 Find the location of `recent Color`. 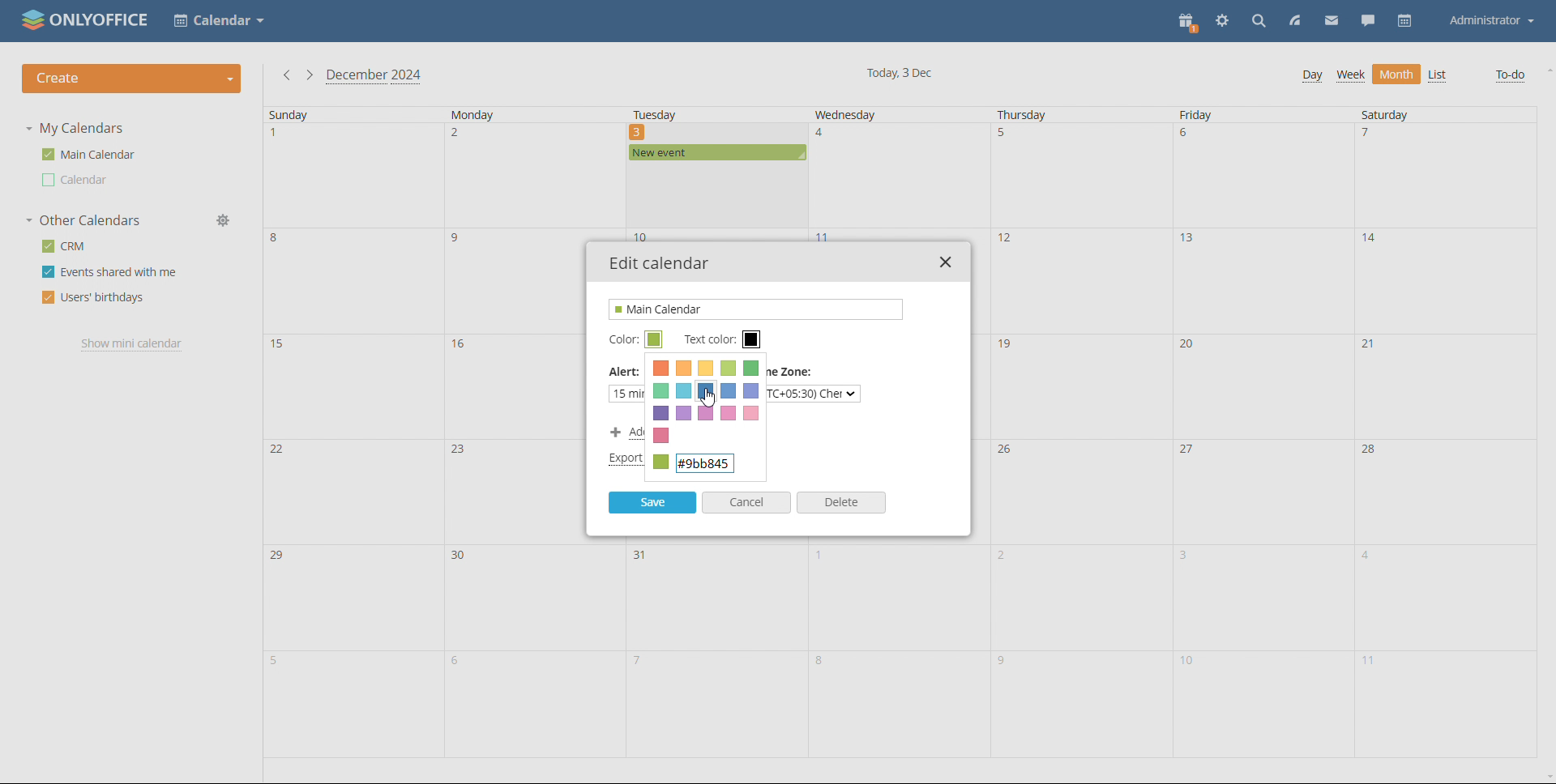

recent Color is located at coordinates (663, 436).